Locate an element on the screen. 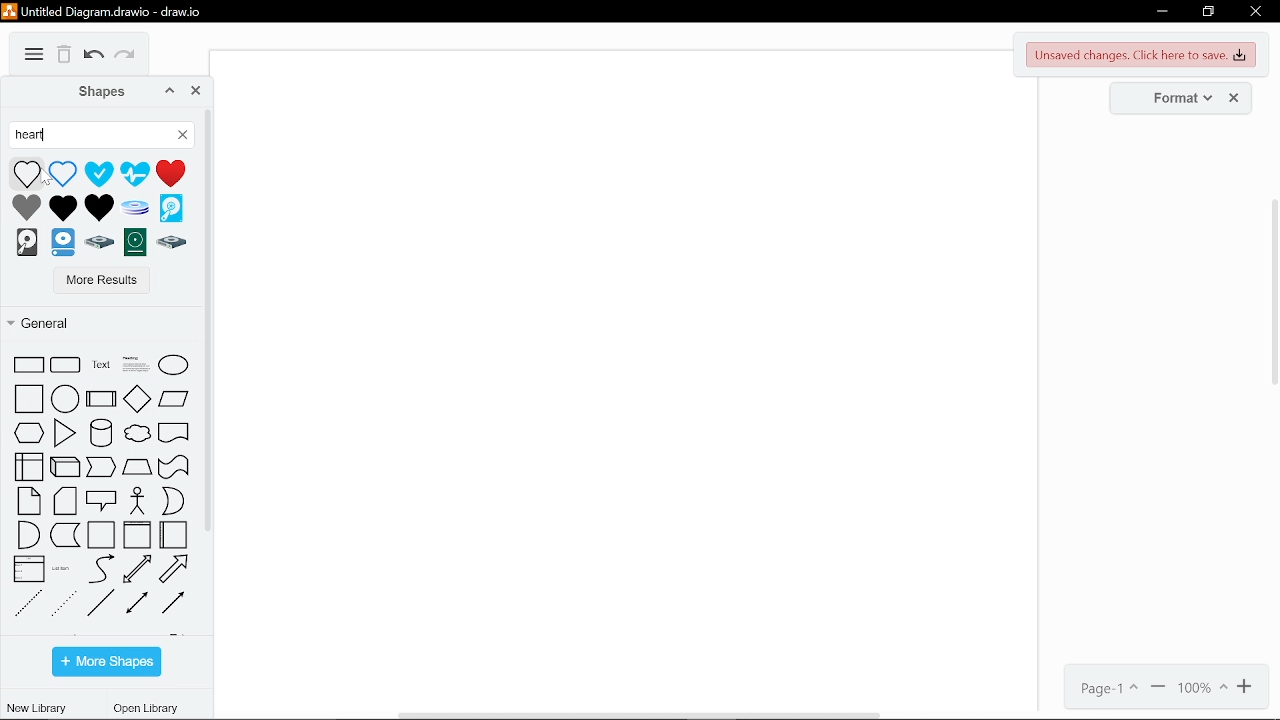 The width and height of the screenshot is (1280, 720). Heart is located at coordinates (63, 173).